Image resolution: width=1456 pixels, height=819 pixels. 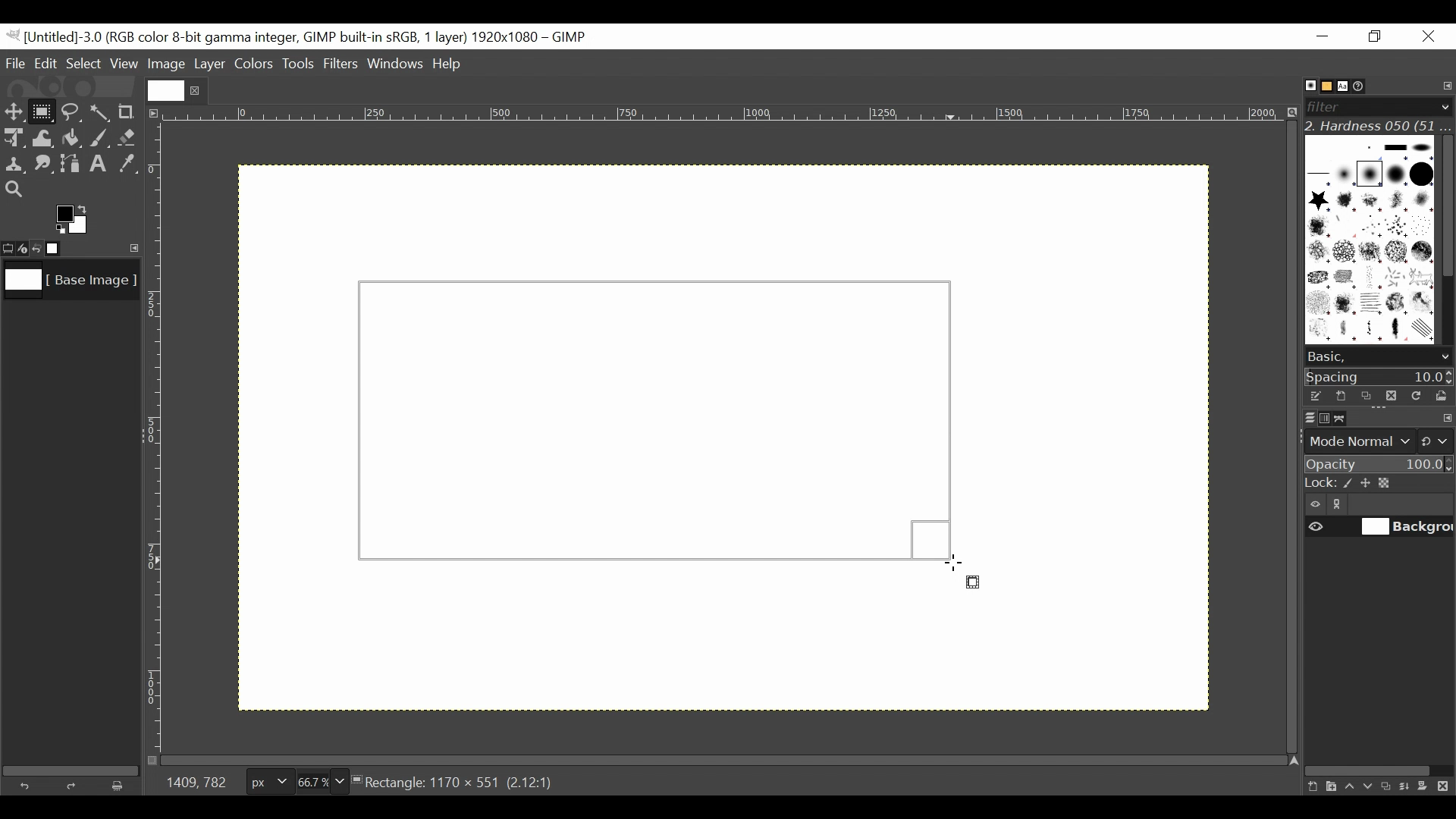 I want to click on Duplicate brush, so click(x=1366, y=396).